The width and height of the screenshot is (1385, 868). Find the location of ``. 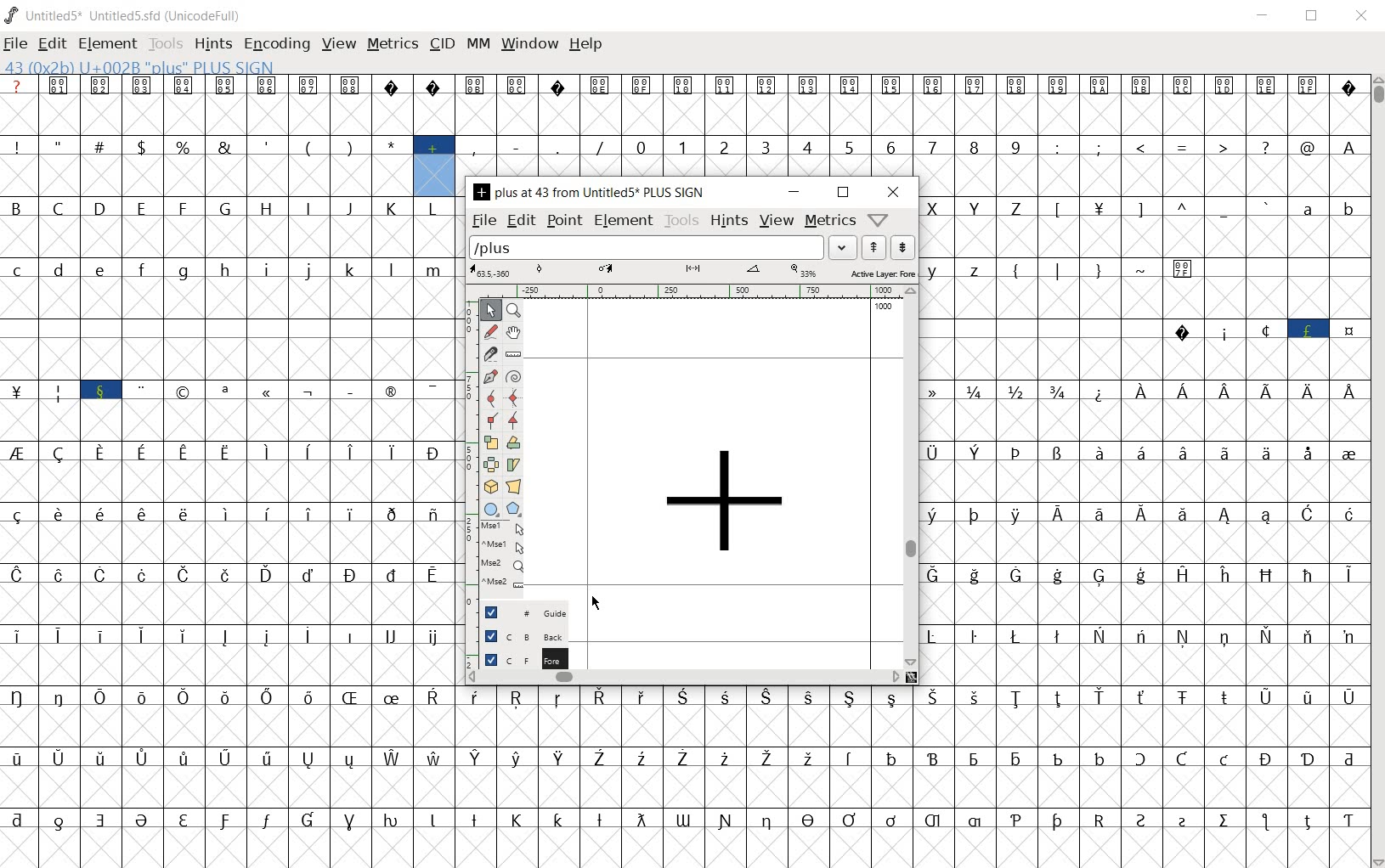

 is located at coordinates (1144, 657).